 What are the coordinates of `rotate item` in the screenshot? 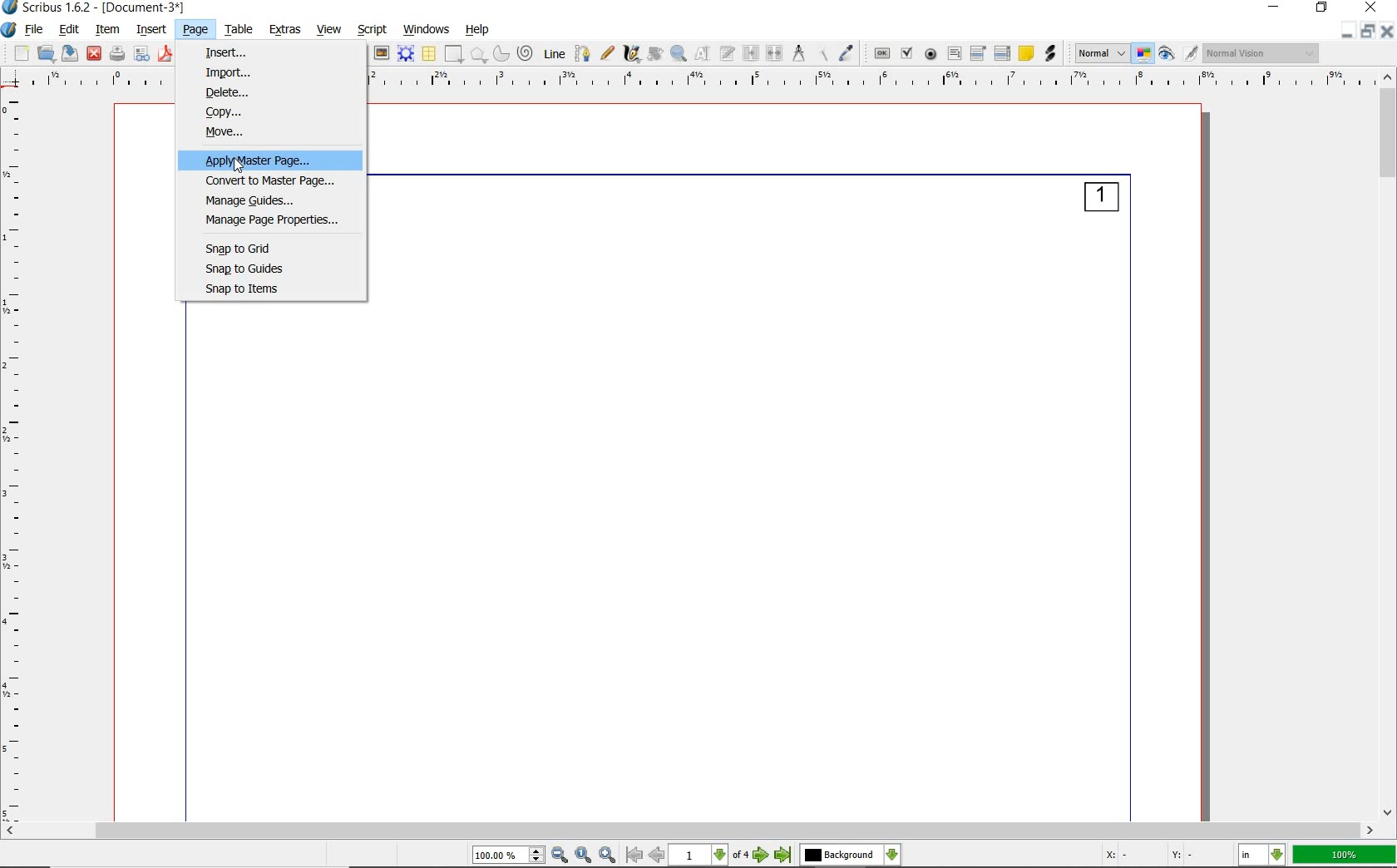 It's located at (654, 54).